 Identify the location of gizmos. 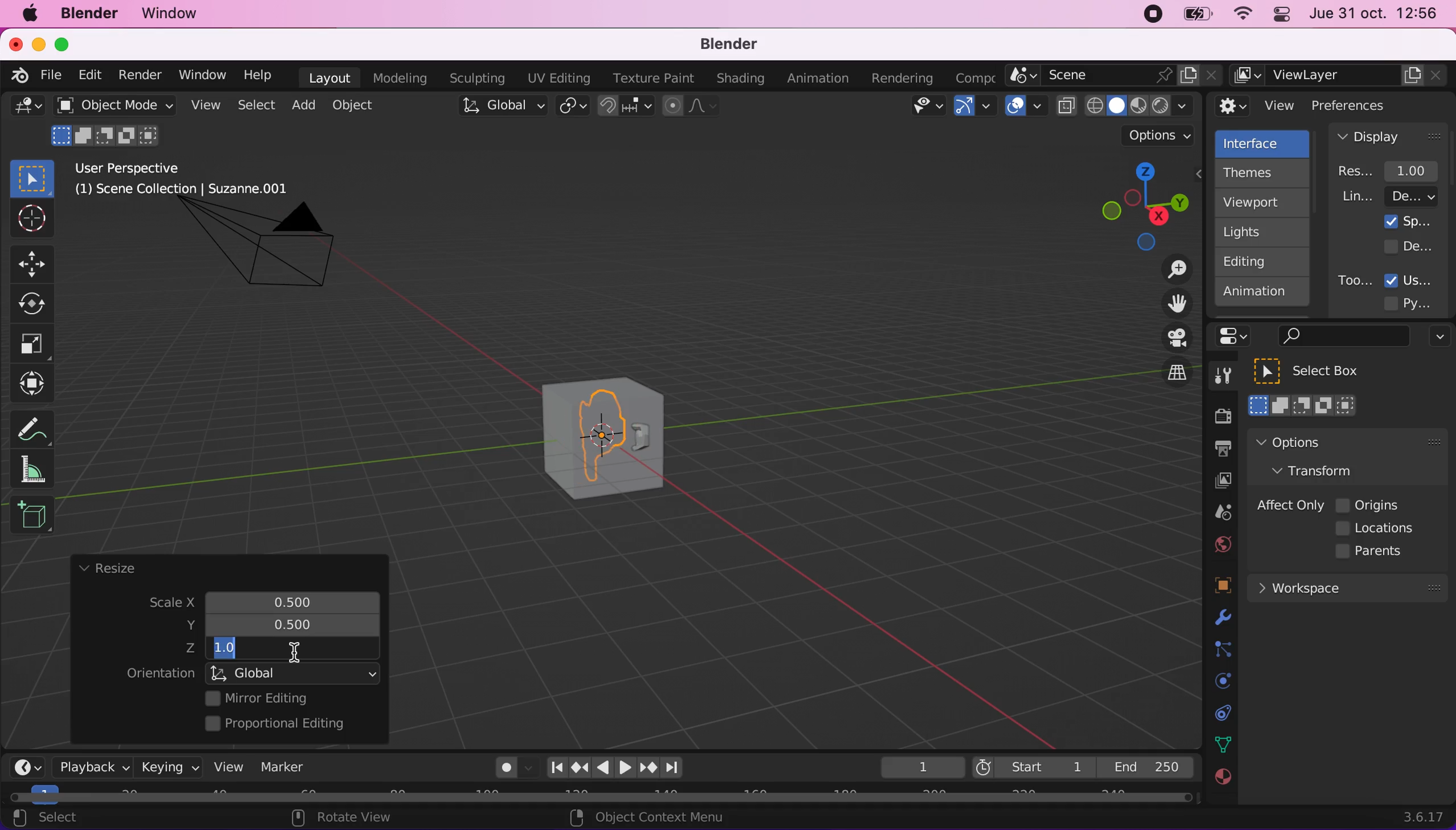
(974, 109).